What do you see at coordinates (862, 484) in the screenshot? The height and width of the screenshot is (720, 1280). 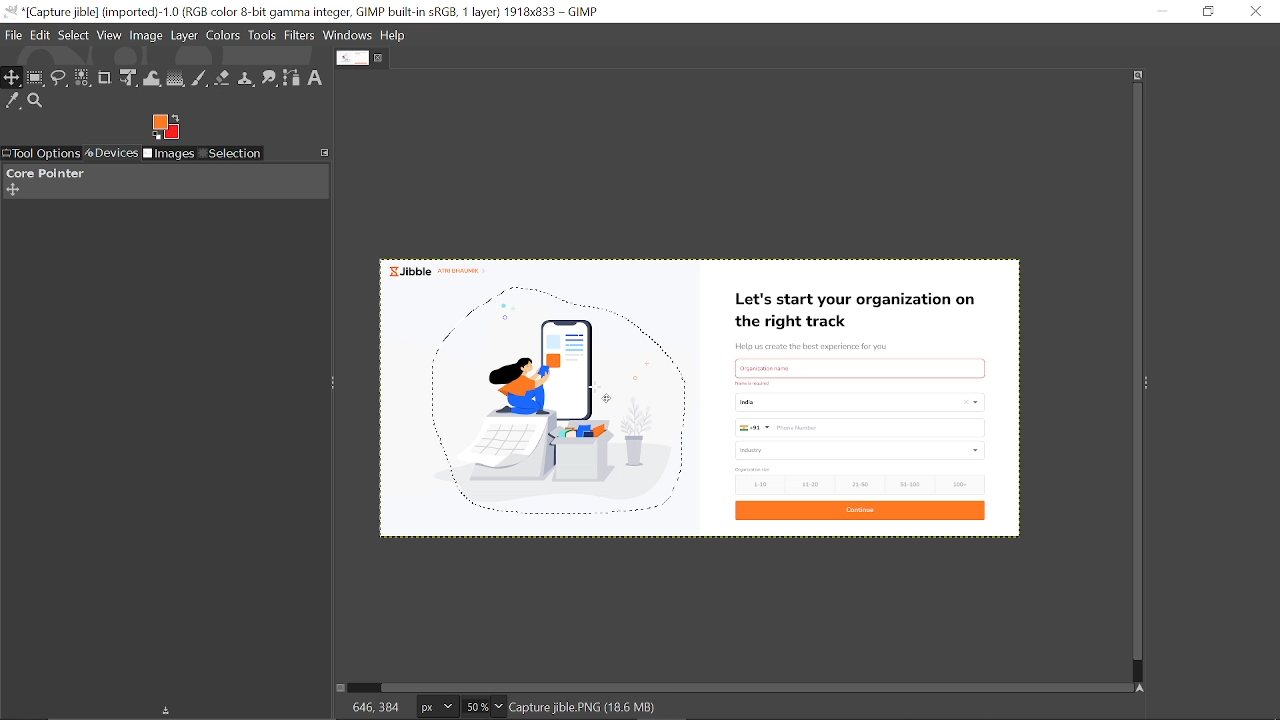 I see `21-50` at bounding box center [862, 484].